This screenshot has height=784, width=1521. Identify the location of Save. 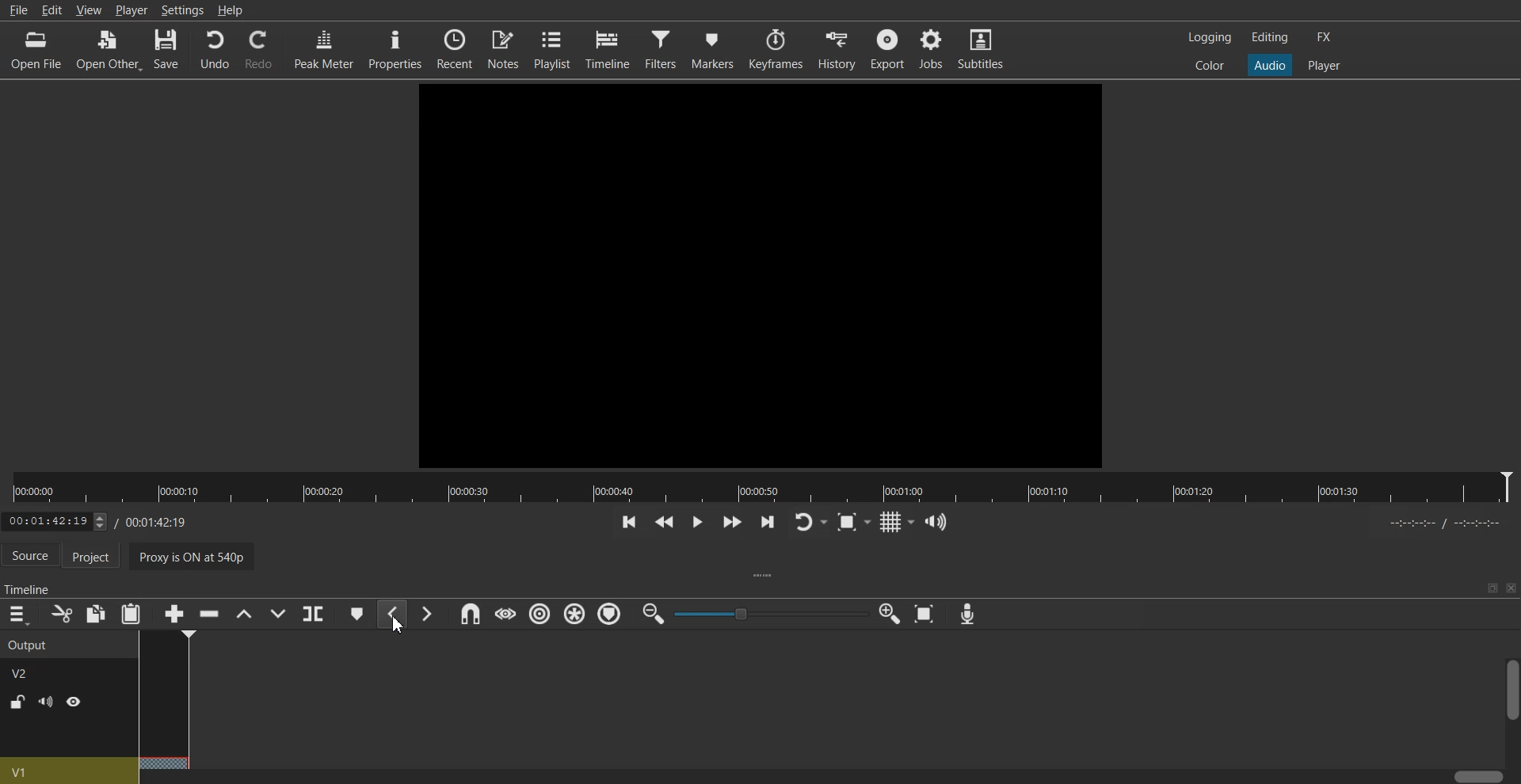
(168, 49).